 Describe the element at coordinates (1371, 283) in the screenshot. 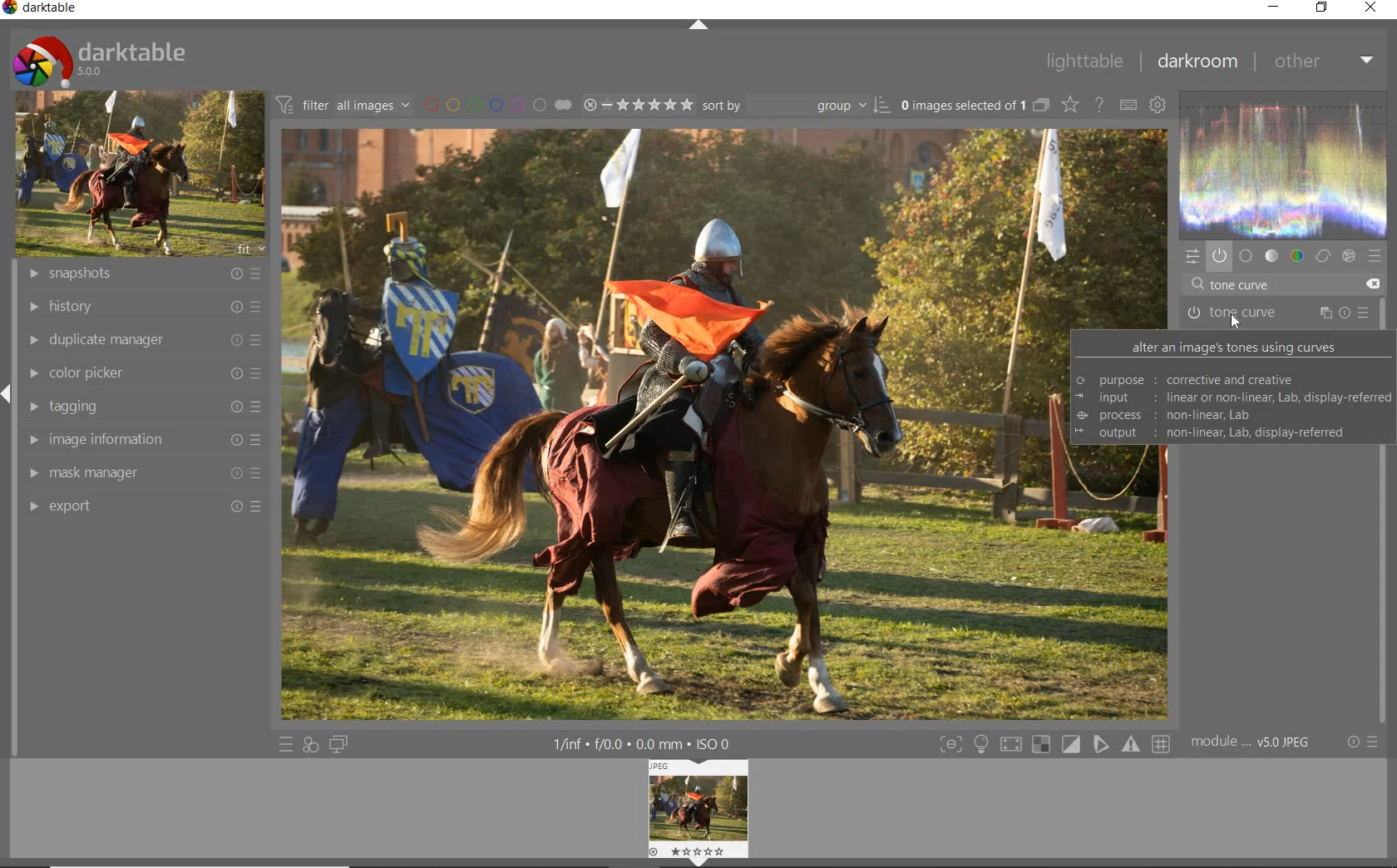

I see `delete` at that location.